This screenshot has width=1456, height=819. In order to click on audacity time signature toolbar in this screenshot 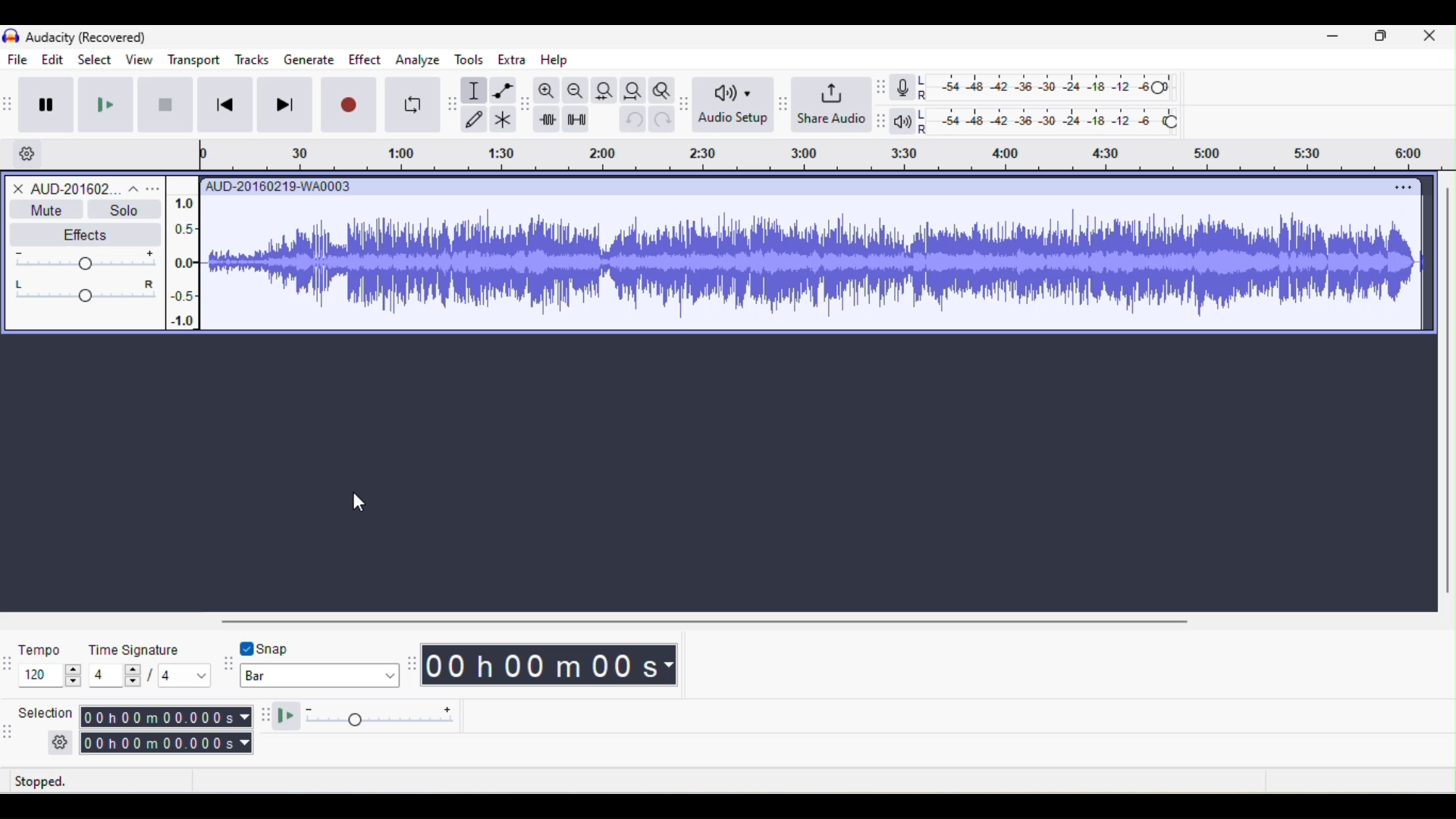, I will do `click(9, 662)`.